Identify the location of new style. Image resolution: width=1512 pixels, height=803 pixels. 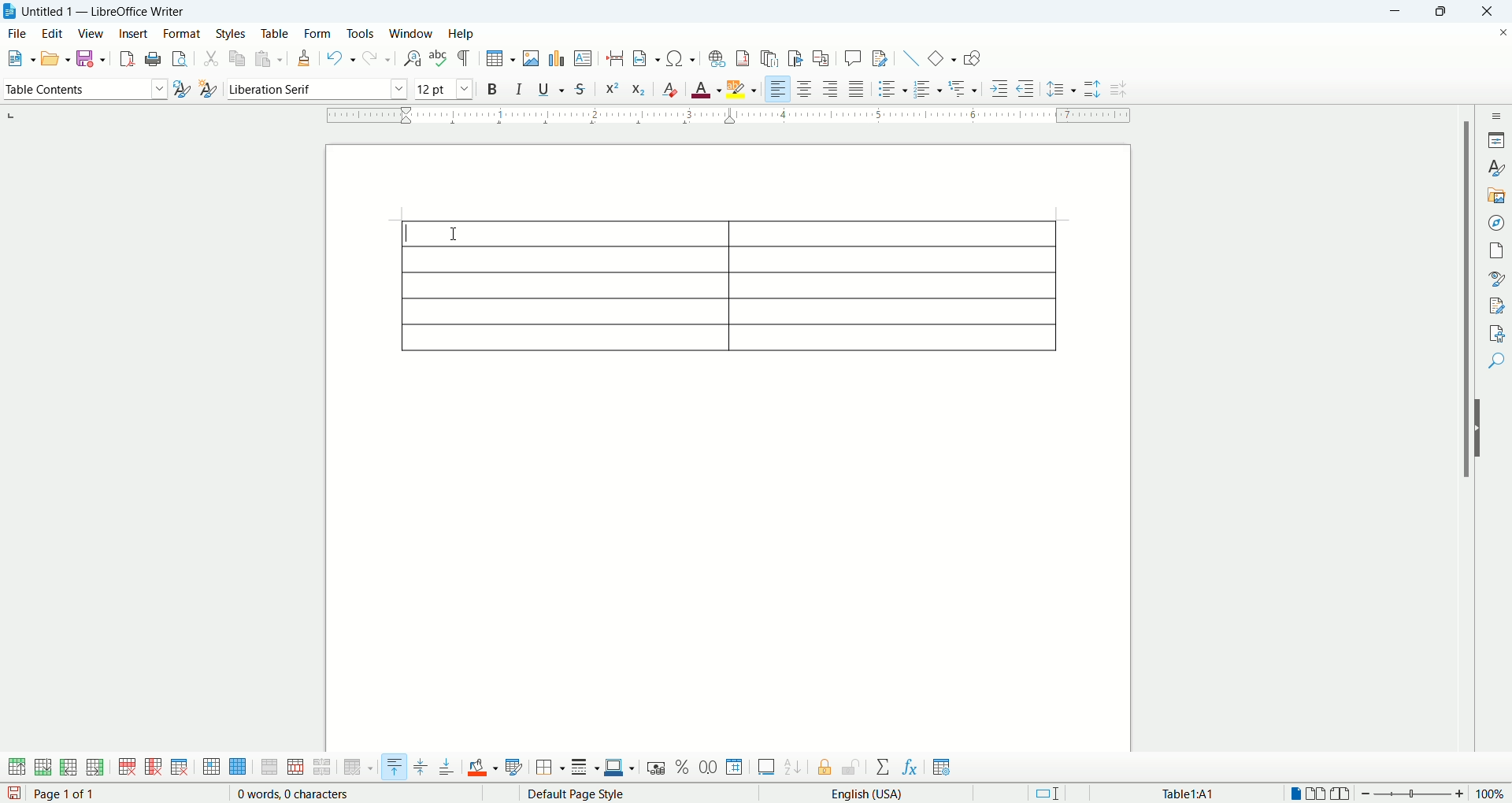
(207, 91).